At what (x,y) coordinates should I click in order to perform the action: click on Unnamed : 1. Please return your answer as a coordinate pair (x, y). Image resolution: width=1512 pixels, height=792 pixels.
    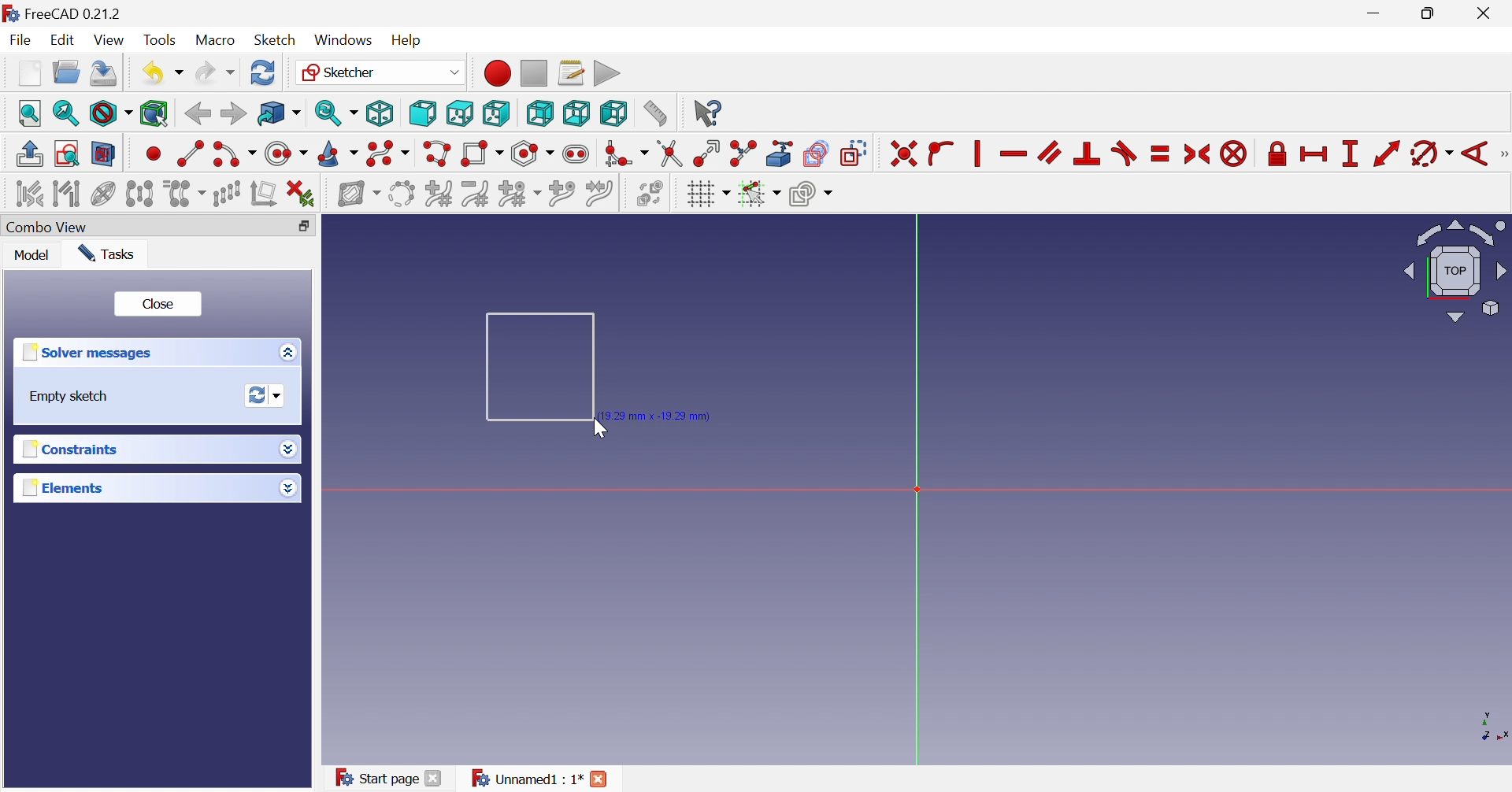
    Looking at the image, I should click on (524, 779).